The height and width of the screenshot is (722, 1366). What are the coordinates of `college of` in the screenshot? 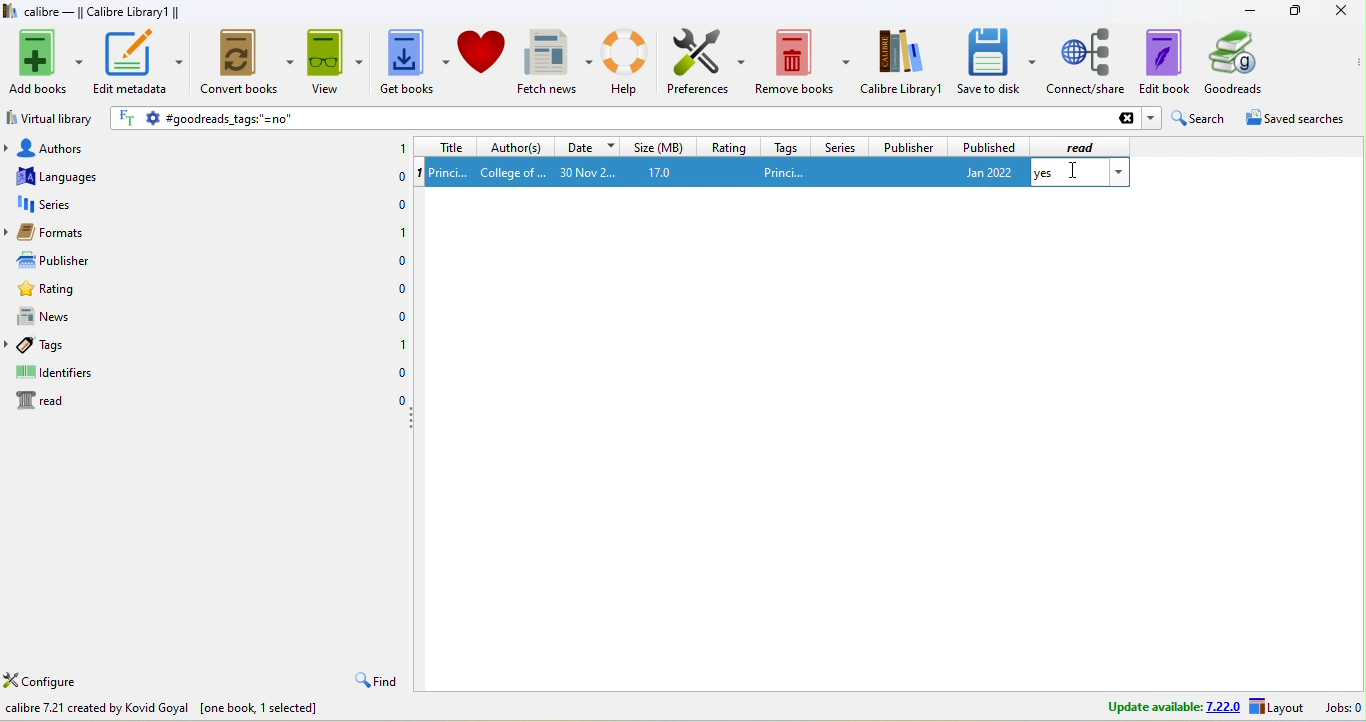 It's located at (514, 173).